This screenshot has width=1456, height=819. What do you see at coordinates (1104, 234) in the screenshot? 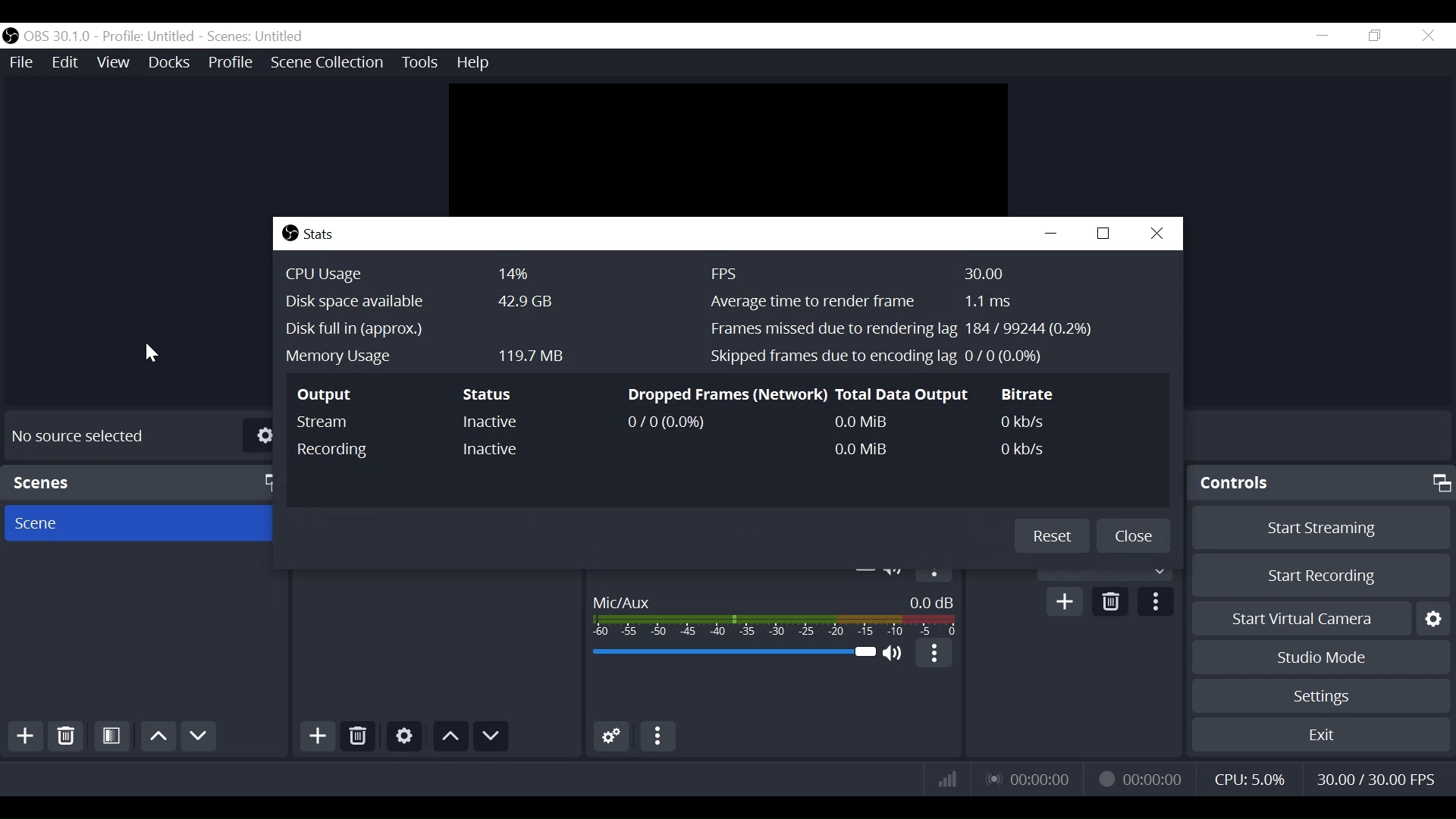
I see `Restore` at bounding box center [1104, 234].